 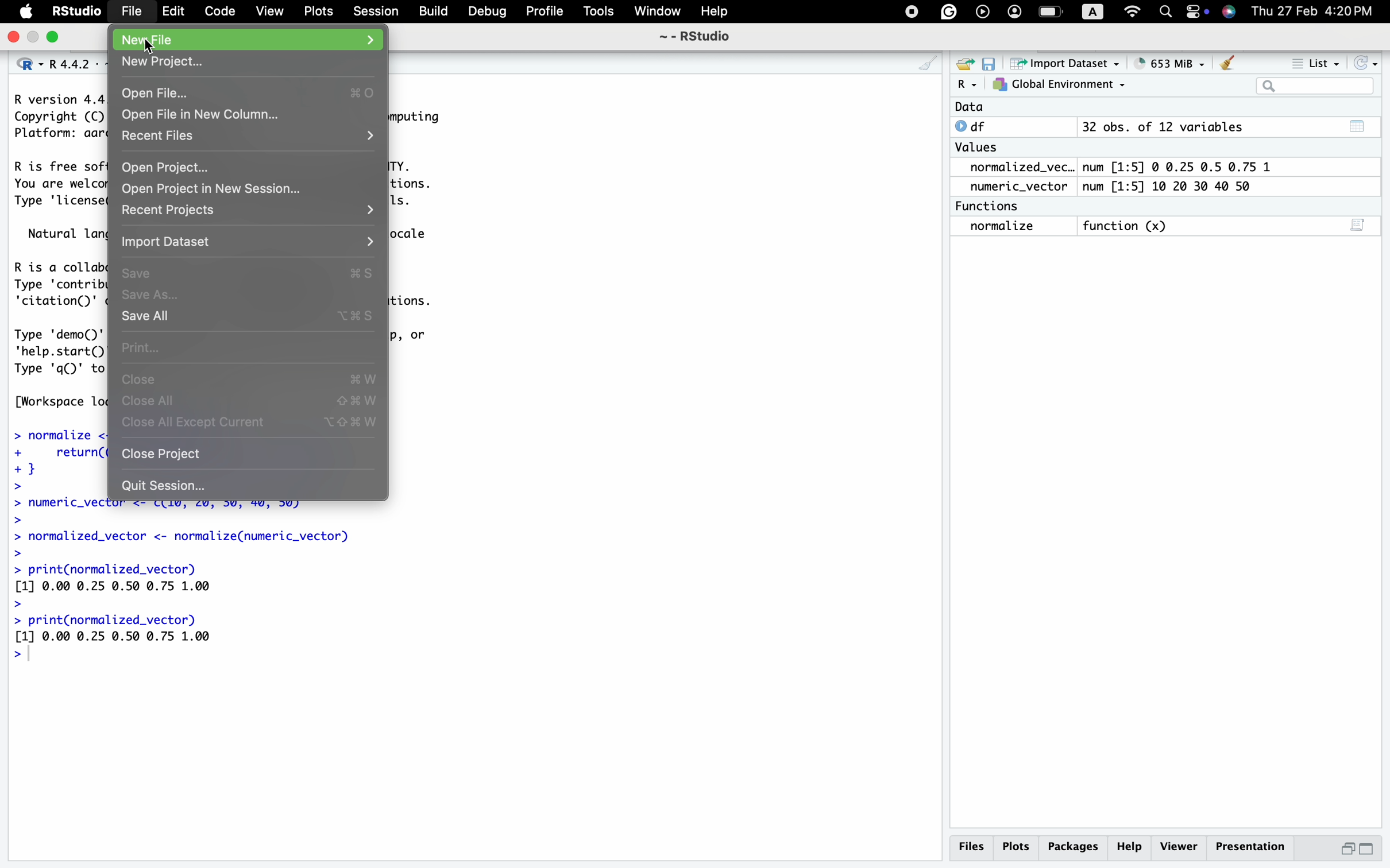 I want to click on New File, so click(x=178, y=41).